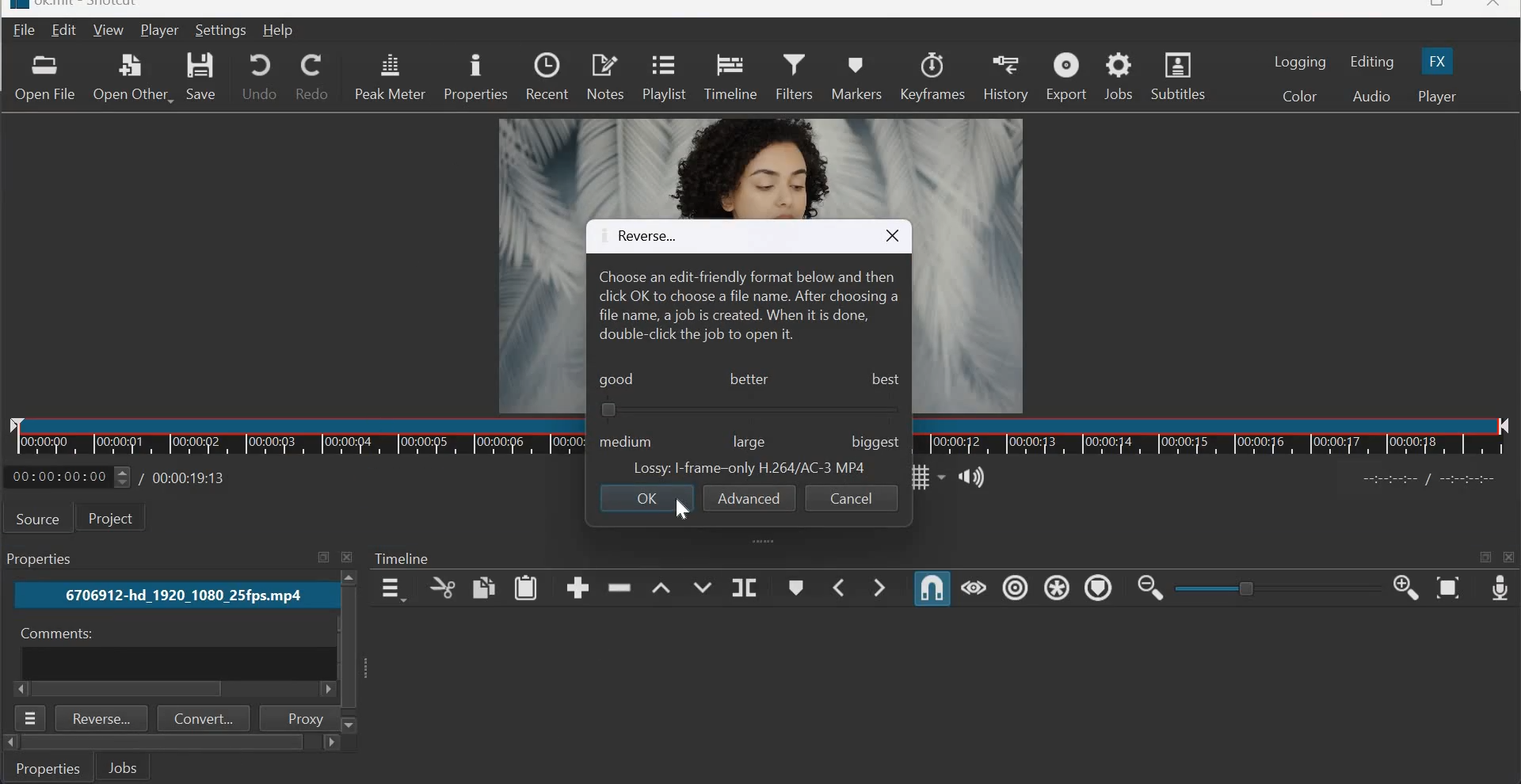 The height and width of the screenshot is (784, 1521). Describe the element at coordinates (204, 718) in the screenshot. I see `convert` at that location.